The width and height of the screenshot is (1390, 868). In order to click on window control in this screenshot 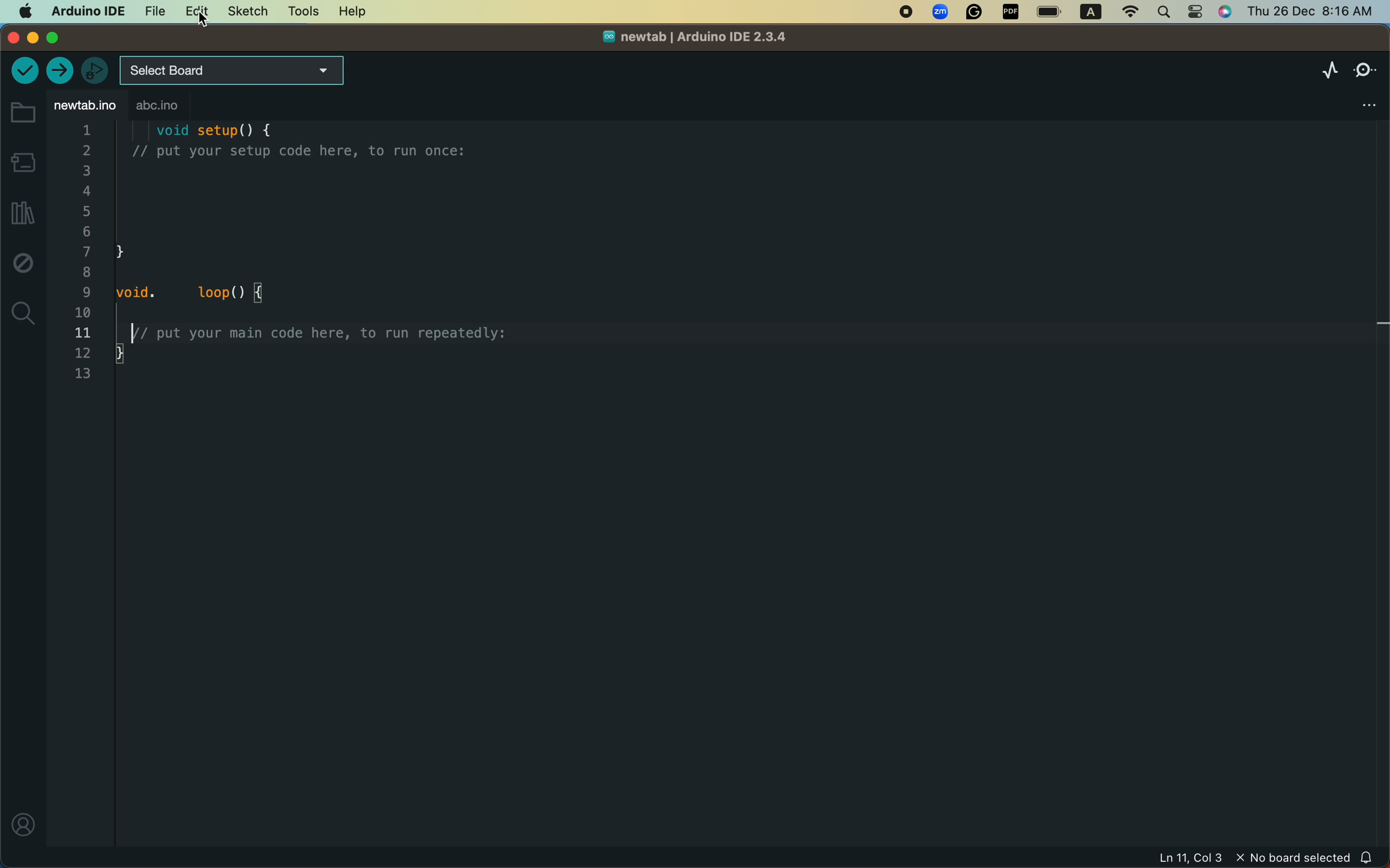, I will do `click(47, 38)`.